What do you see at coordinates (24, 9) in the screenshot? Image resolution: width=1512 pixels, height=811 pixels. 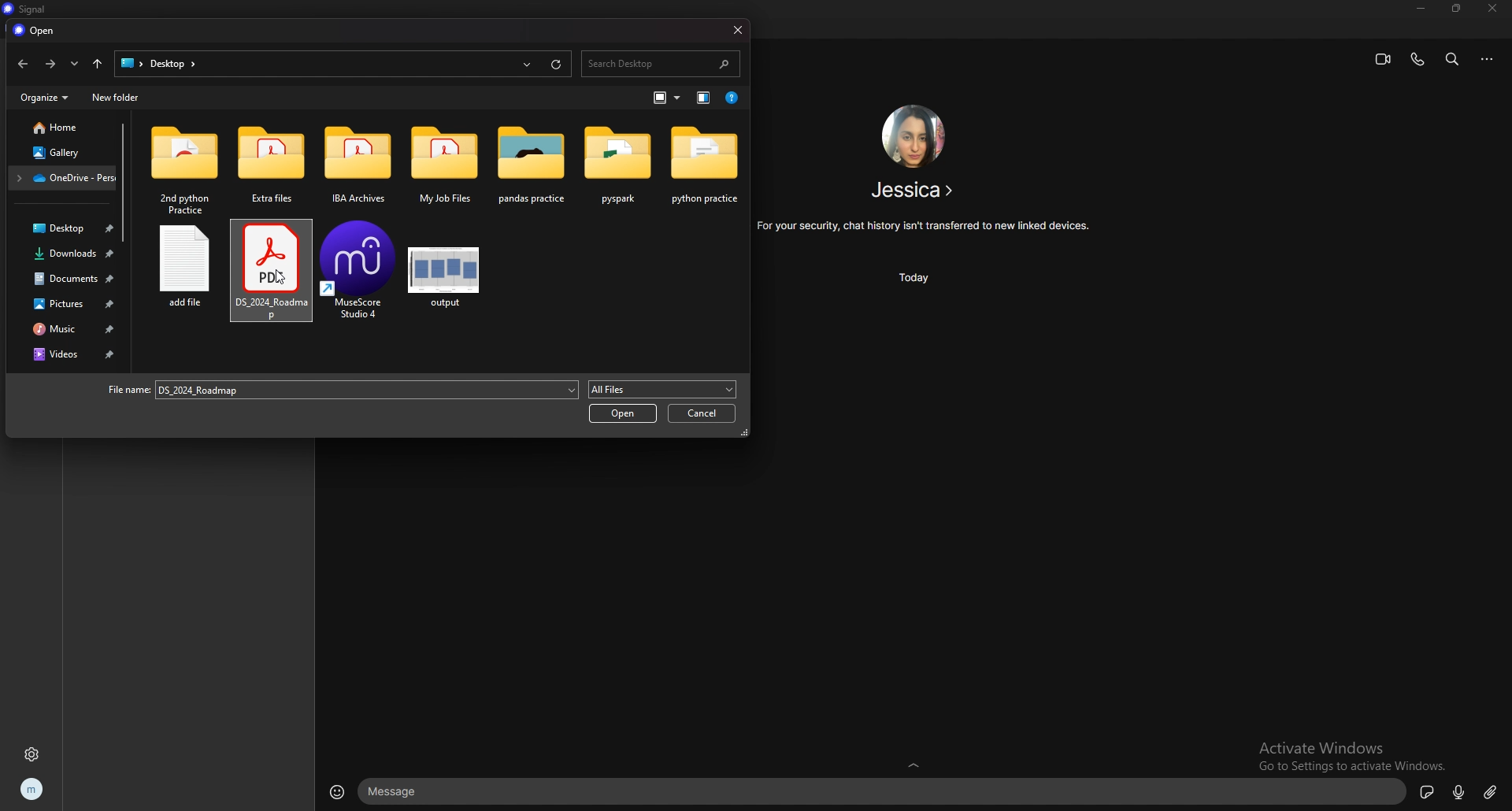 I see `signal` at bounding box center [24, 9].